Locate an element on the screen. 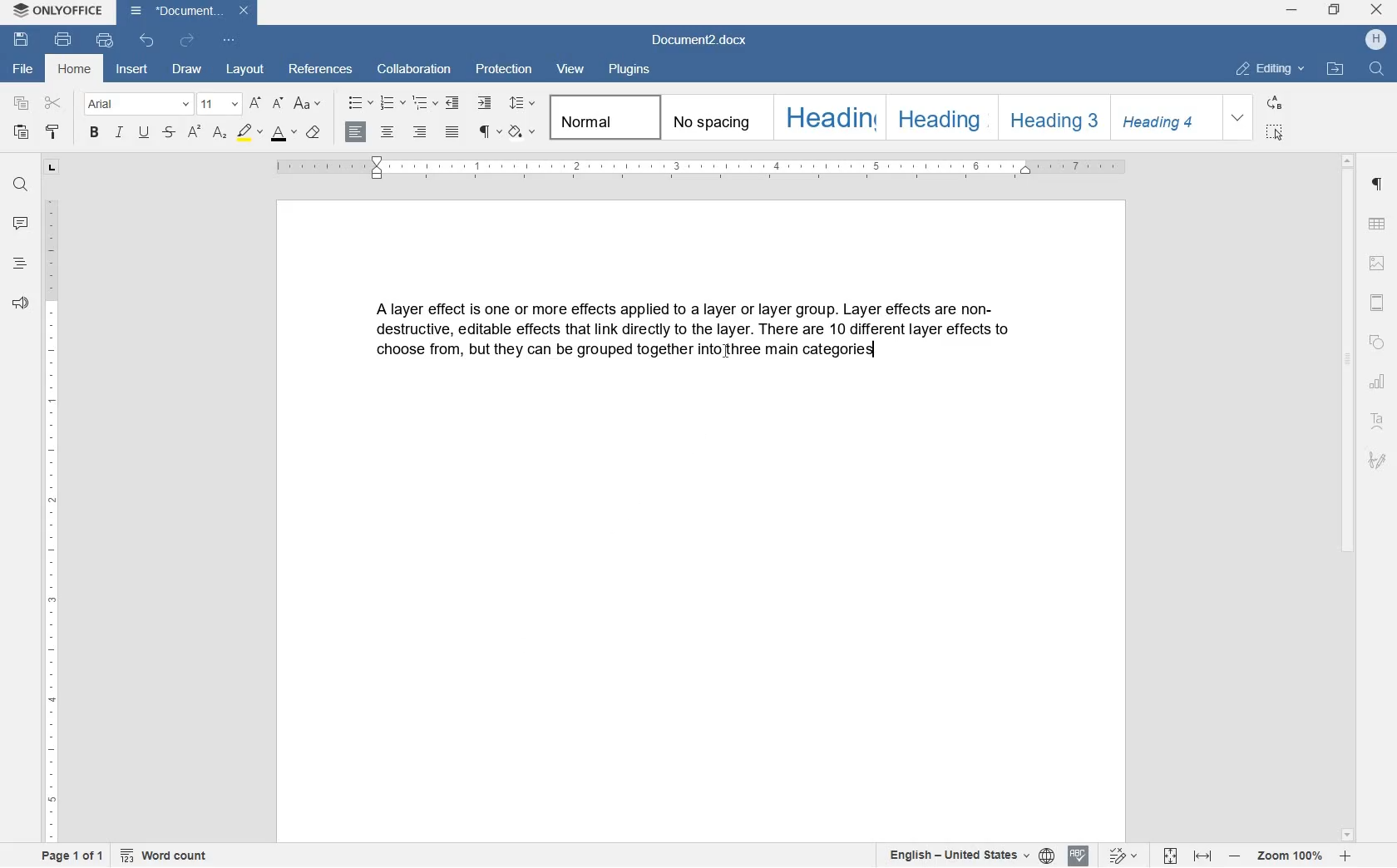  bullet is located at coordinates (359, 103).